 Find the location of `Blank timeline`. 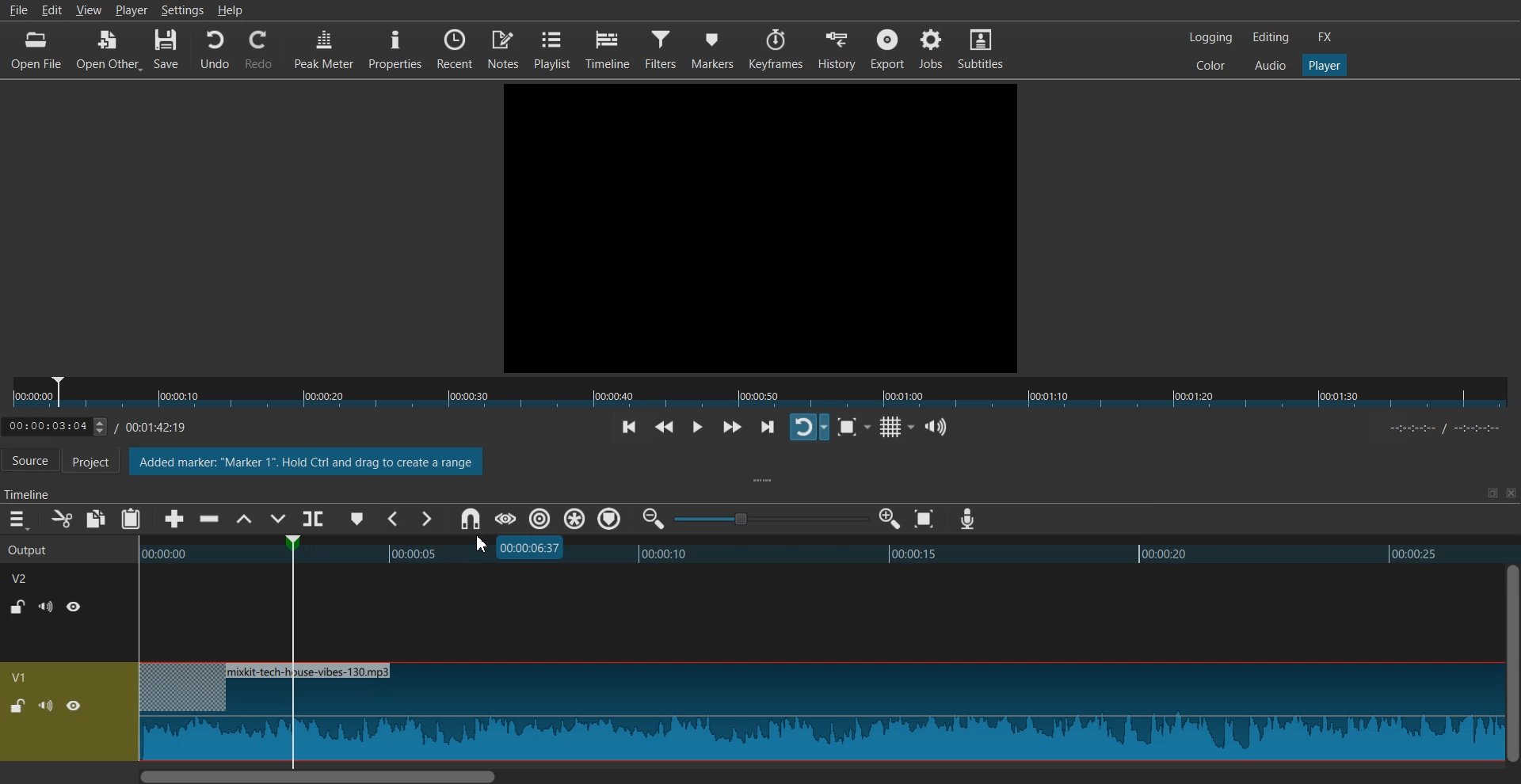

Blank timeline is located at coordinates (818, 613).